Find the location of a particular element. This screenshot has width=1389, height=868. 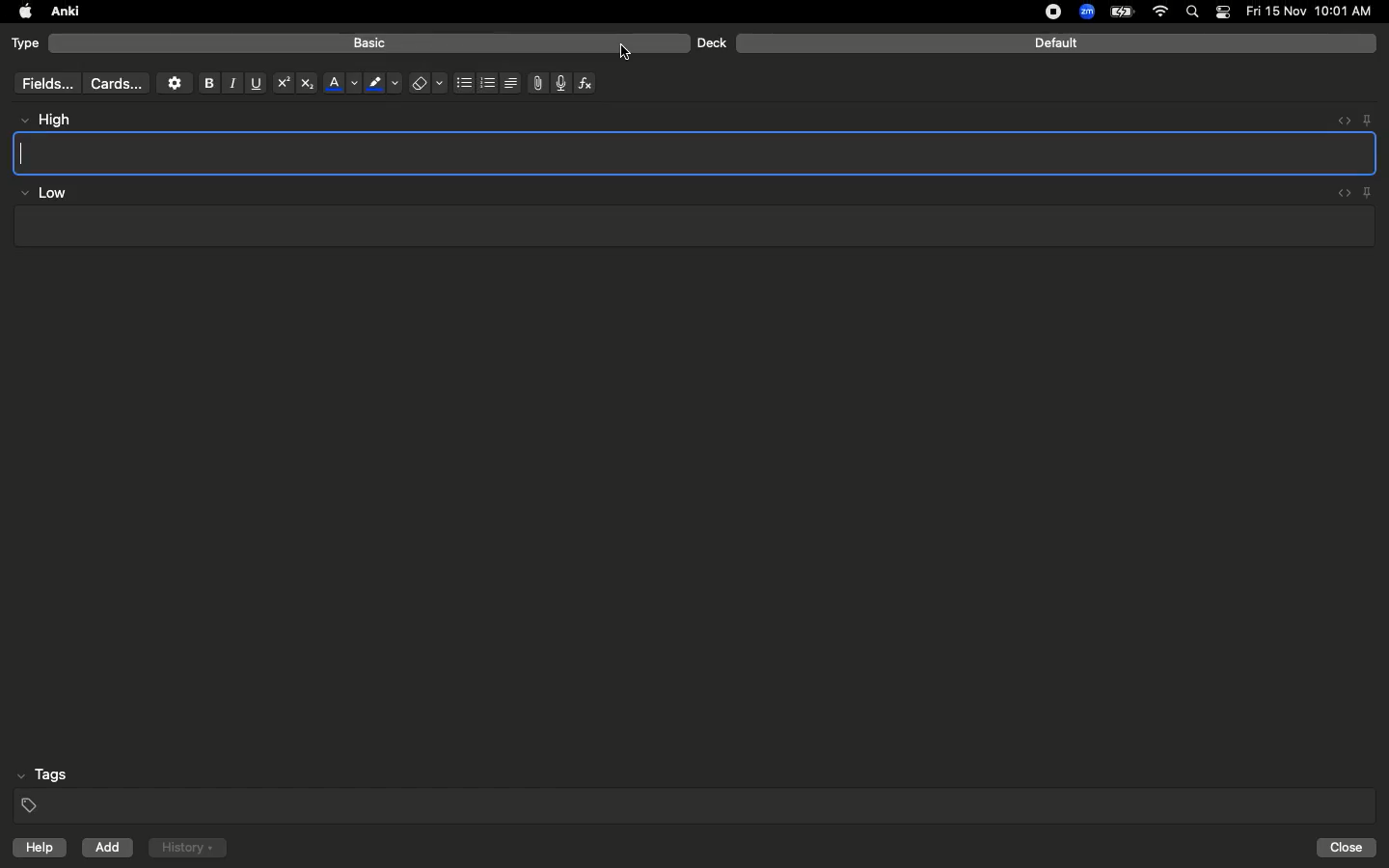

Bullet is located at coordinates (463, 83).